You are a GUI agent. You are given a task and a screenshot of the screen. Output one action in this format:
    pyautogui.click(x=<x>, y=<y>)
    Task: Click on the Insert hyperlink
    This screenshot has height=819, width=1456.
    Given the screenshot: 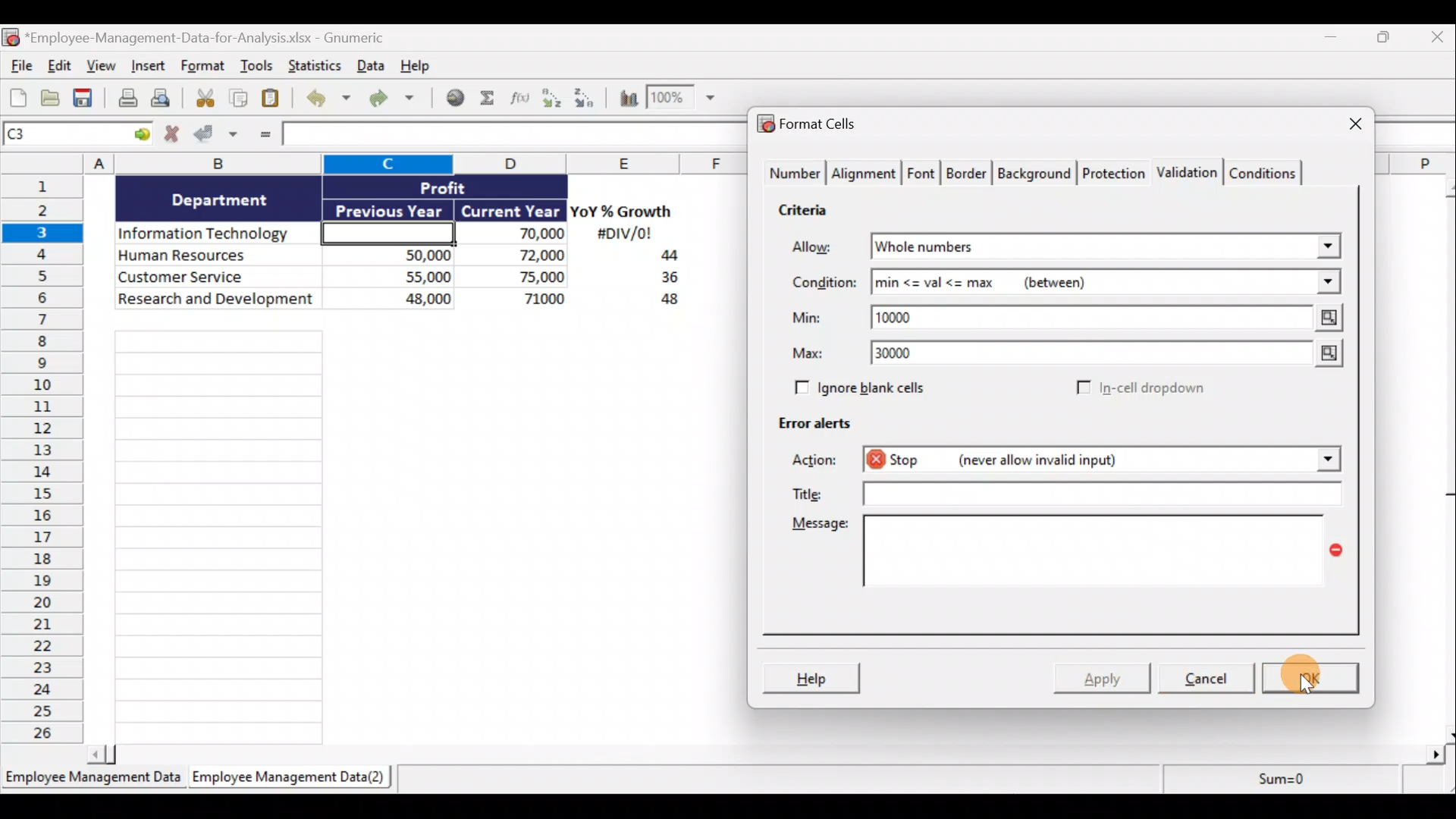 What is the action you would take?
    pyautogui.click(x=457, y=98)
    